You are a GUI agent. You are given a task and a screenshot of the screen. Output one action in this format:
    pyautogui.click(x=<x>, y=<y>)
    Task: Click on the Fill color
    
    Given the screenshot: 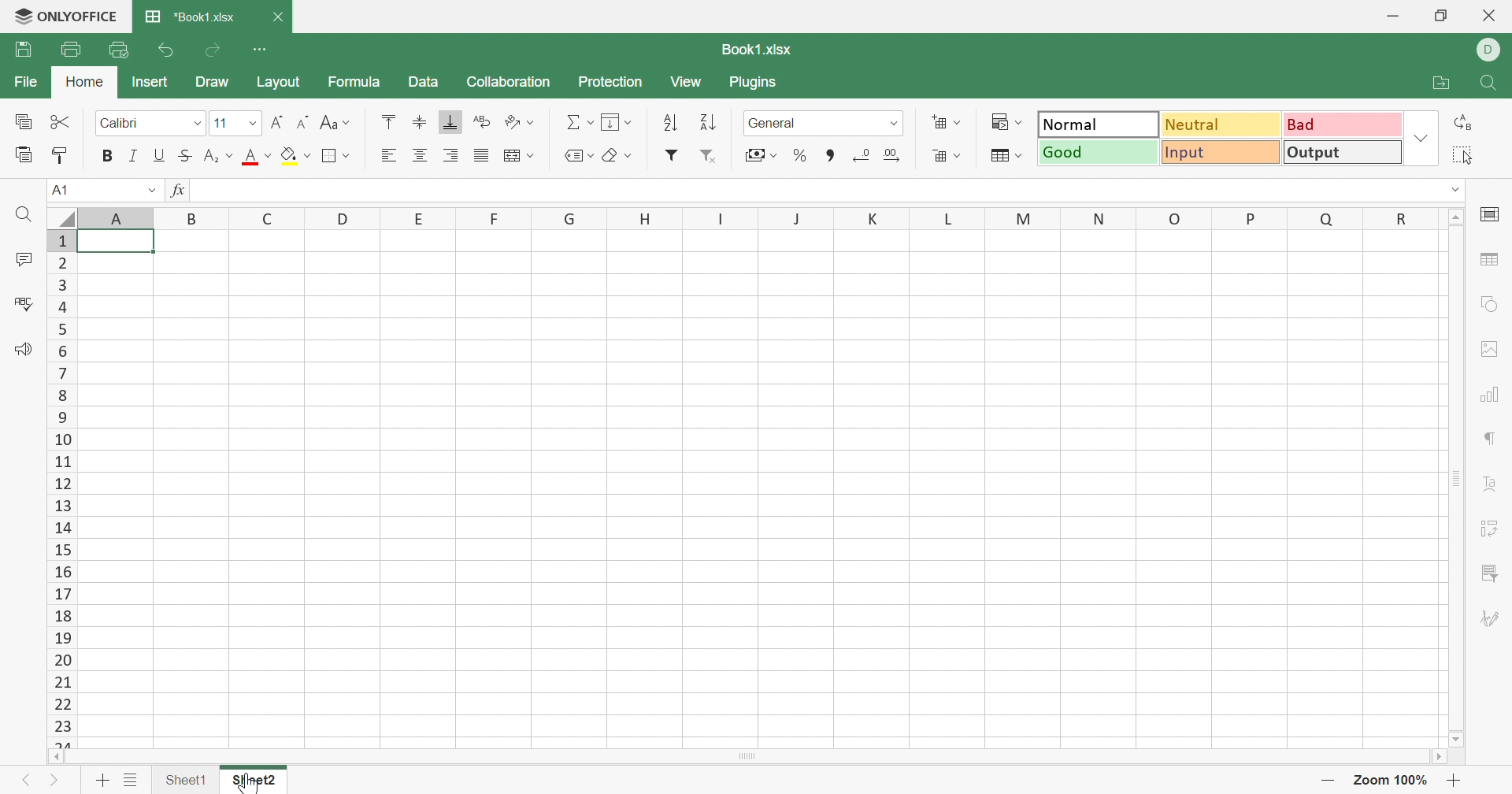 What is the action you would take?
    pyautogui.click(x=288, y=155)
    